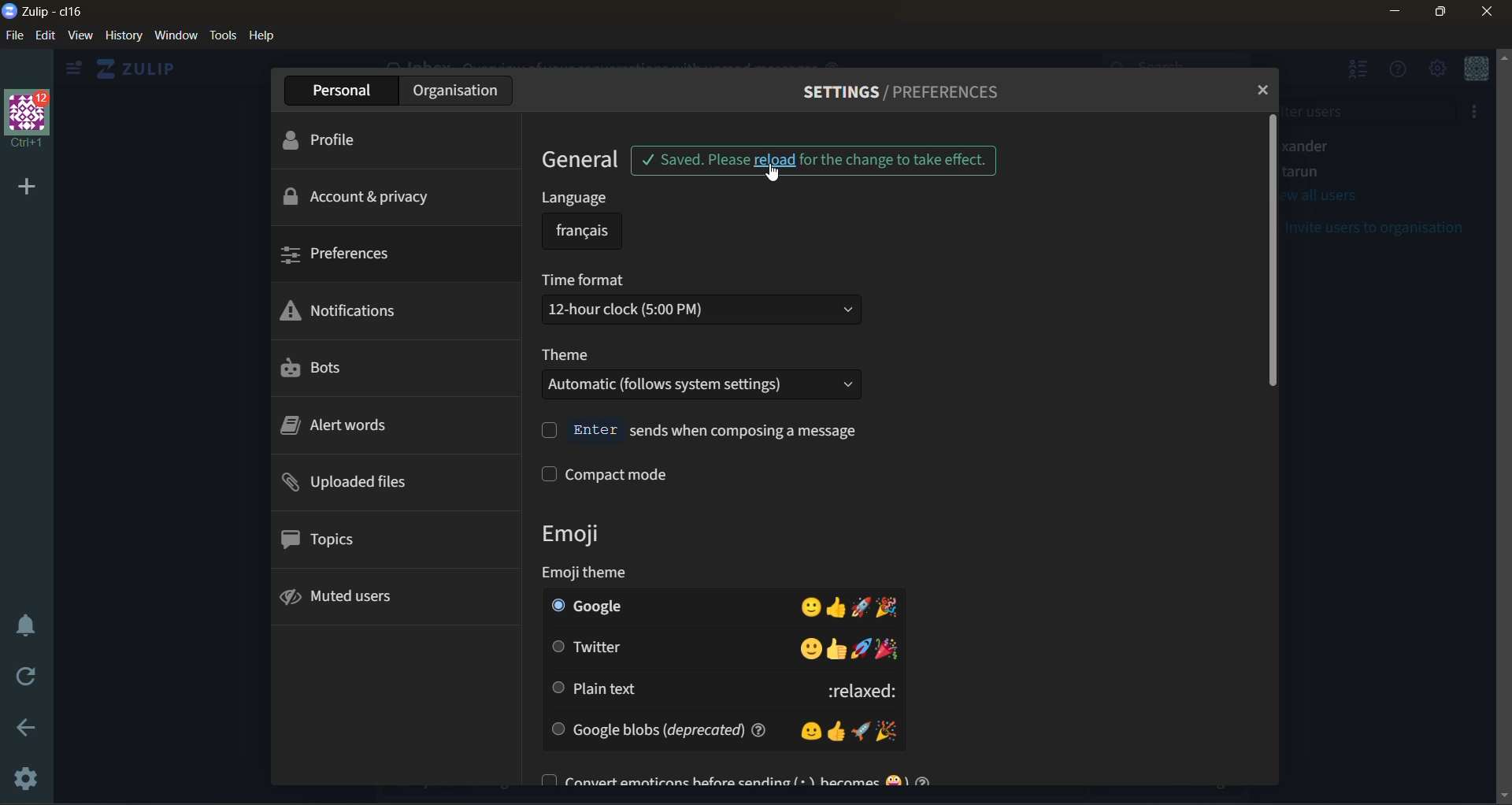 This screenshot has width=1512, height=805. What do you see at coordinates (1393, 12) in the screenshot?
I see `minimize` at bounding box center [1393, 12].